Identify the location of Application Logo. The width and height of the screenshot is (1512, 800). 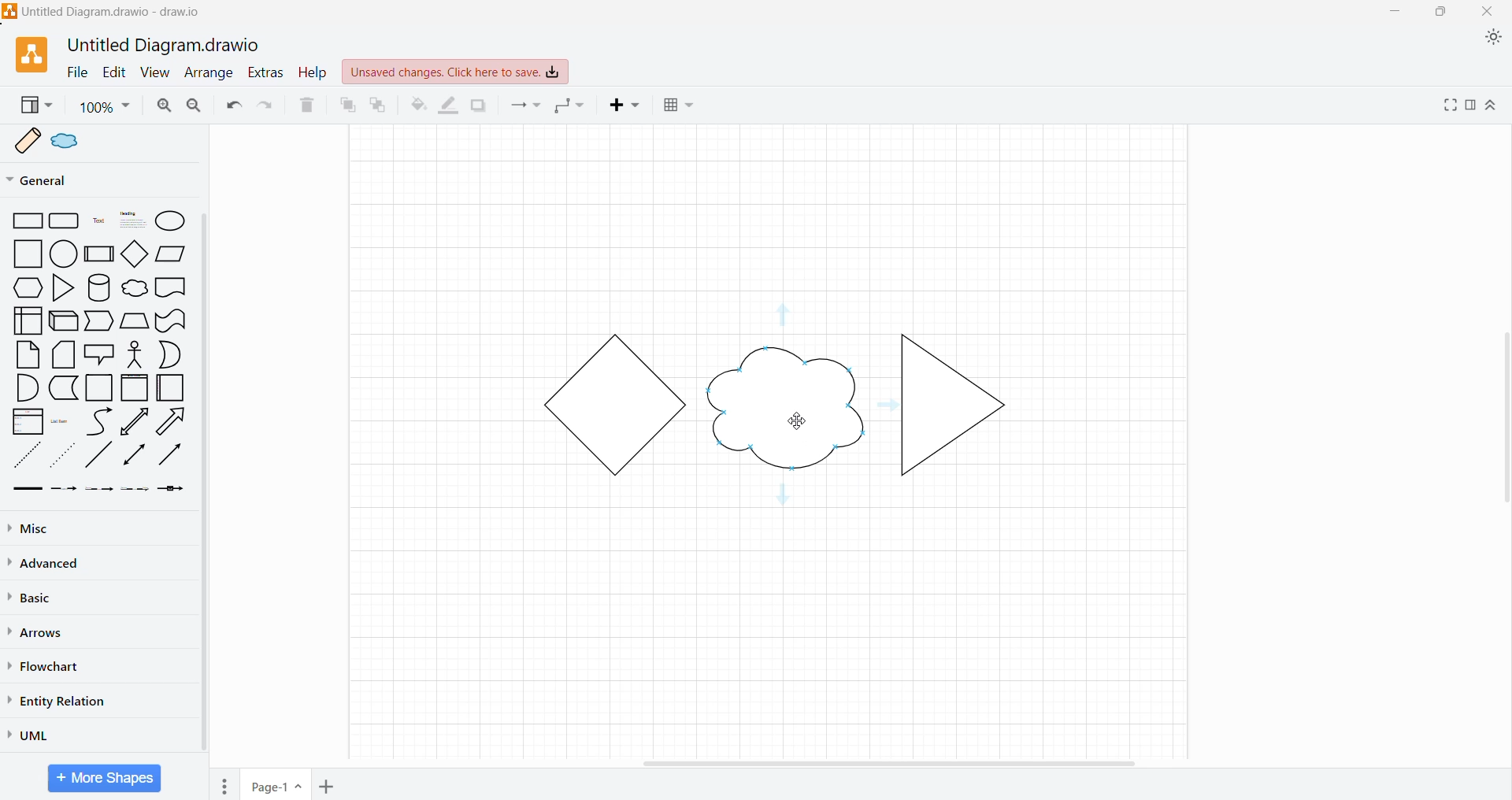
(24, 54).